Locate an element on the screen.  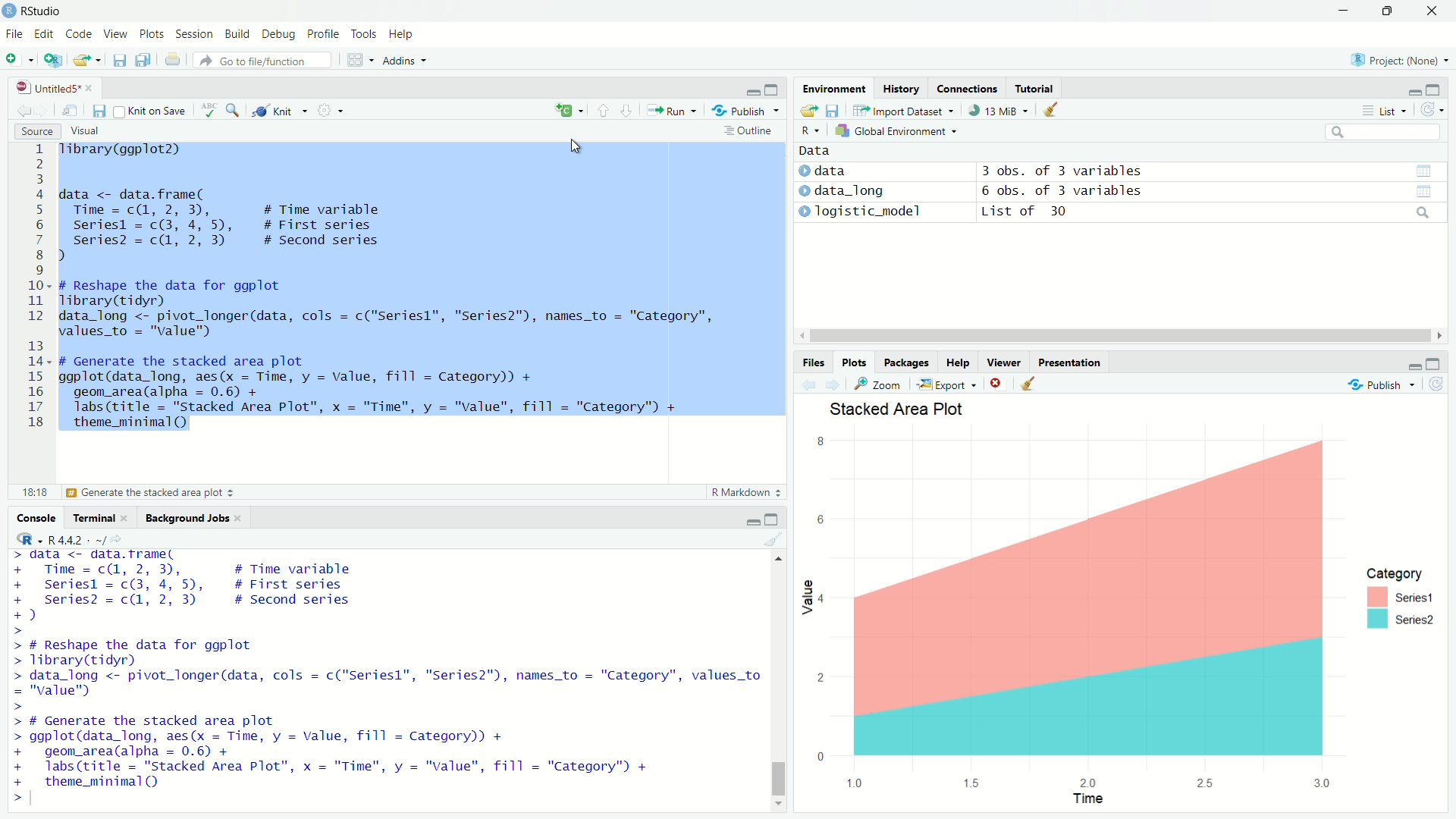
Terminal is located at coordinates (97, 517).